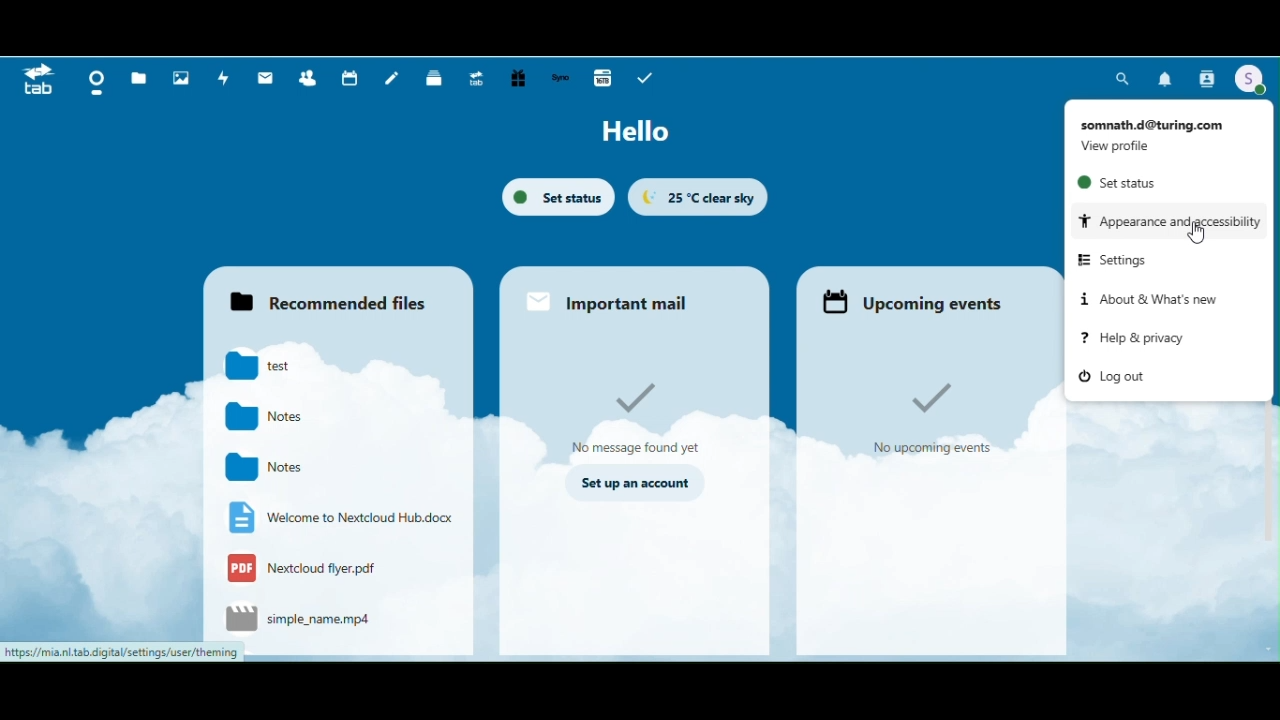  What do you see at coordinates (1124, 78) in the screenshot?
I see `Search` at bounding box center [1124, 78].